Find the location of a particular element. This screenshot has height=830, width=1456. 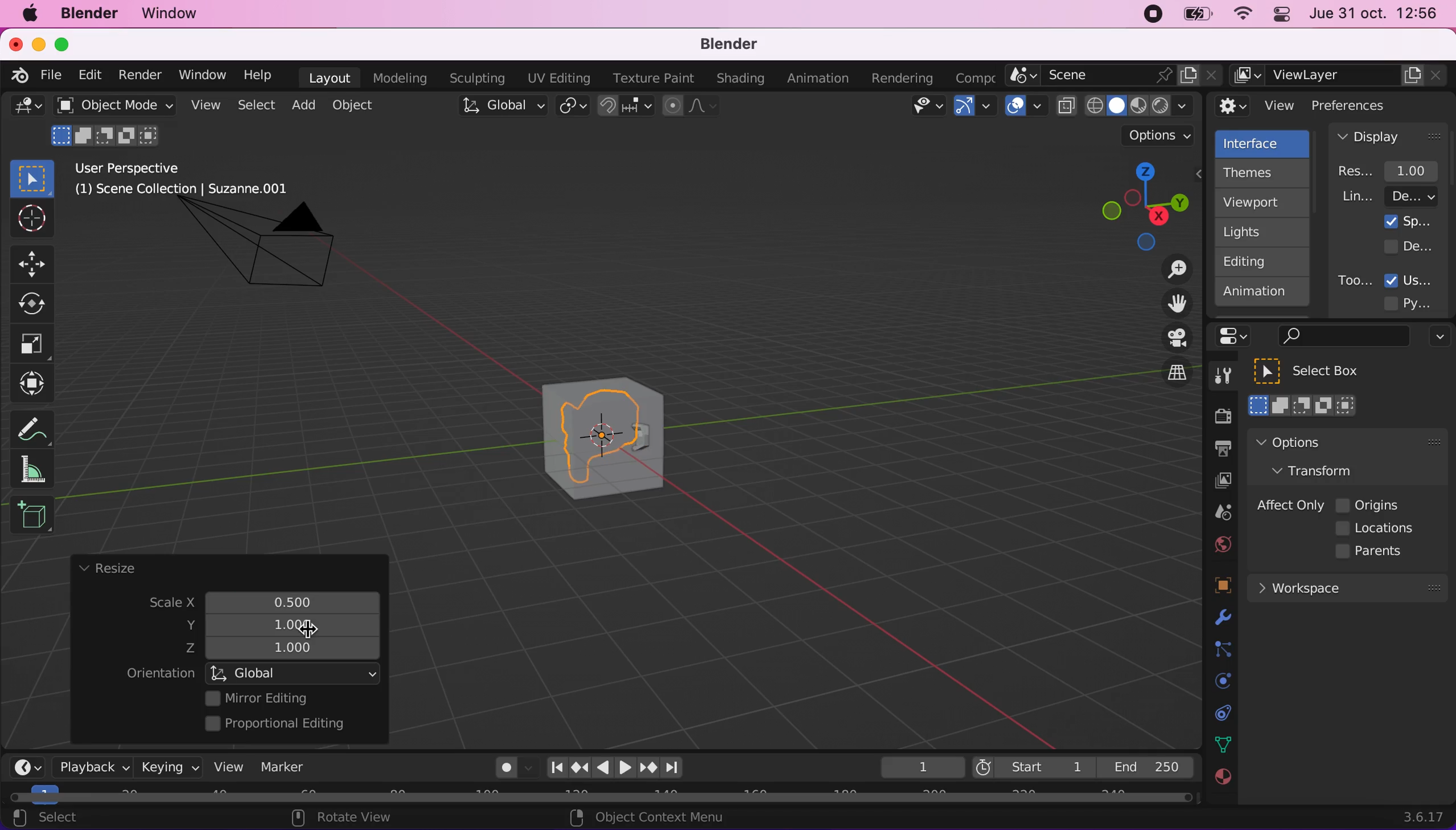

 is located at coordinates (38, 304).